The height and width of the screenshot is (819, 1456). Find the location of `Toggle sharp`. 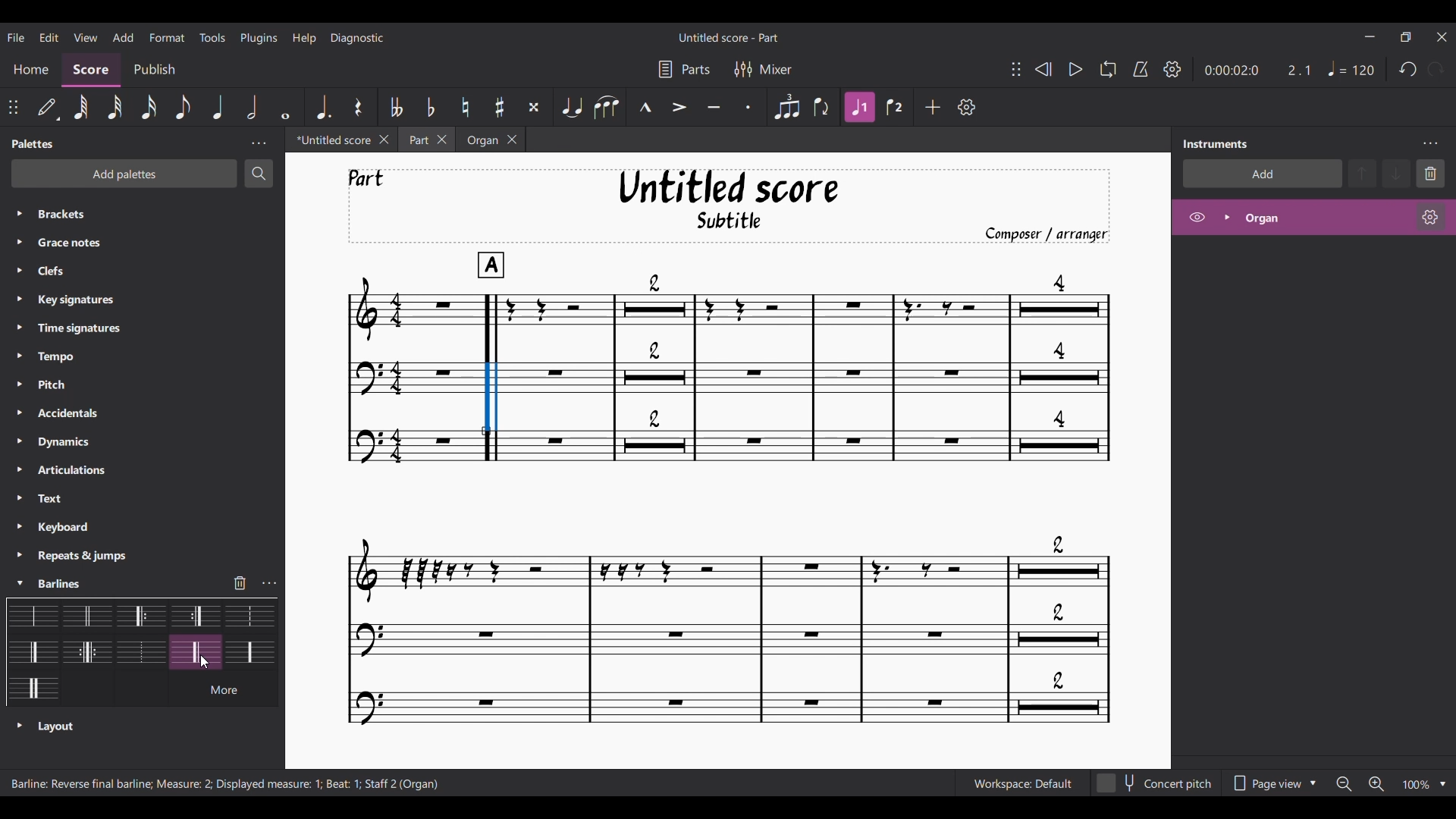

Toggle sharp is located at coordinates (500, 107).